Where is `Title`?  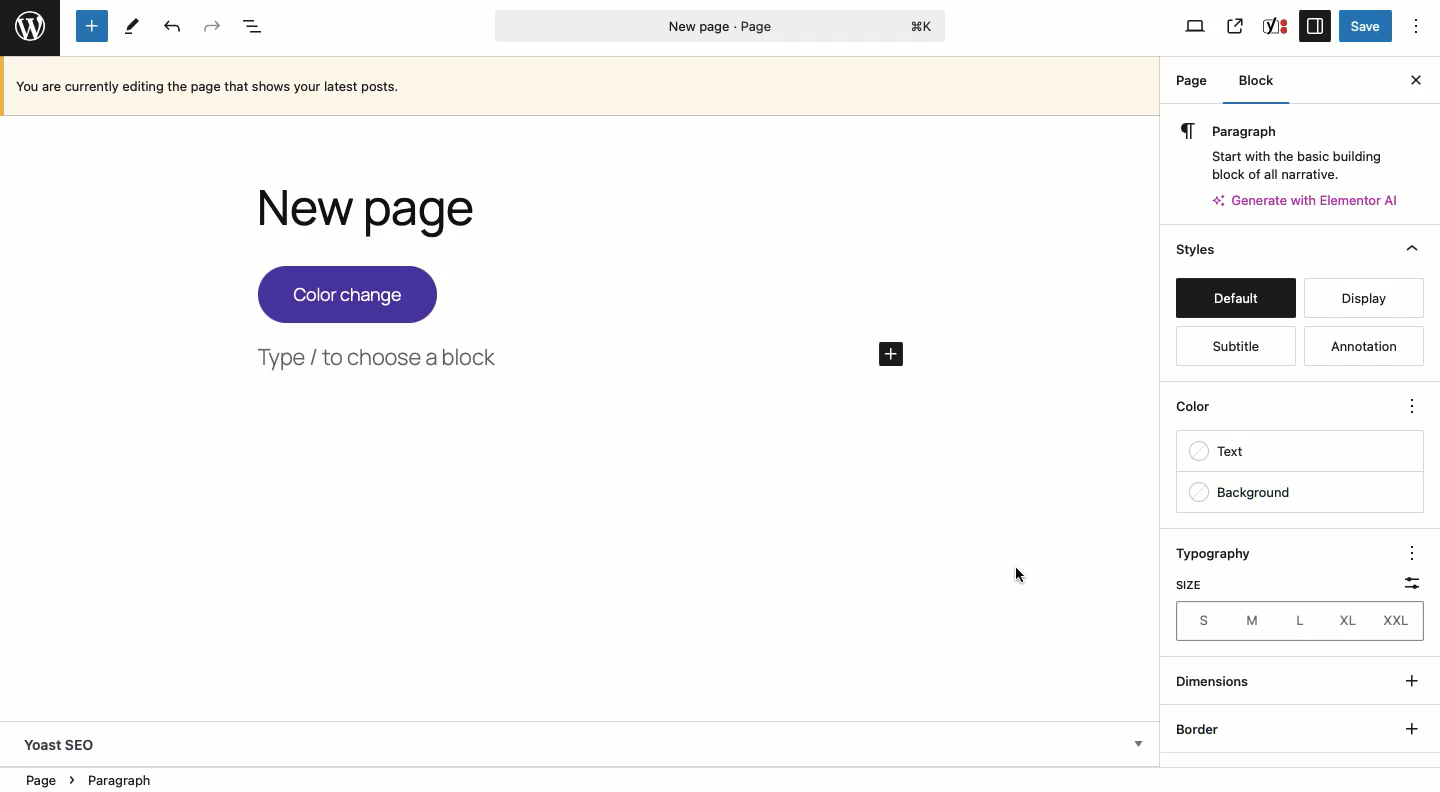 Title is located at coordinates (395, 212).